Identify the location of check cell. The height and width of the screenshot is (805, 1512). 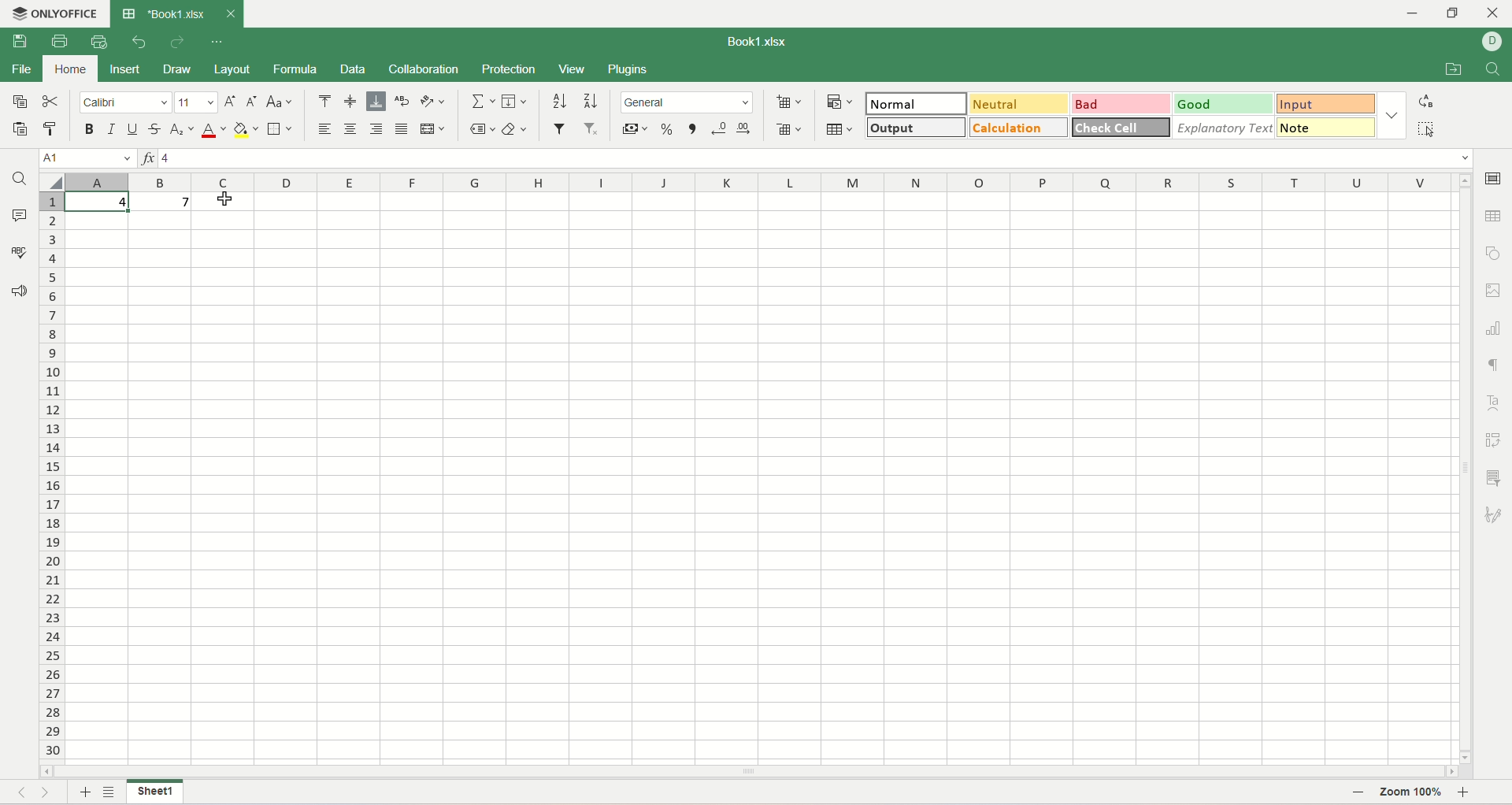
(1119, 128).